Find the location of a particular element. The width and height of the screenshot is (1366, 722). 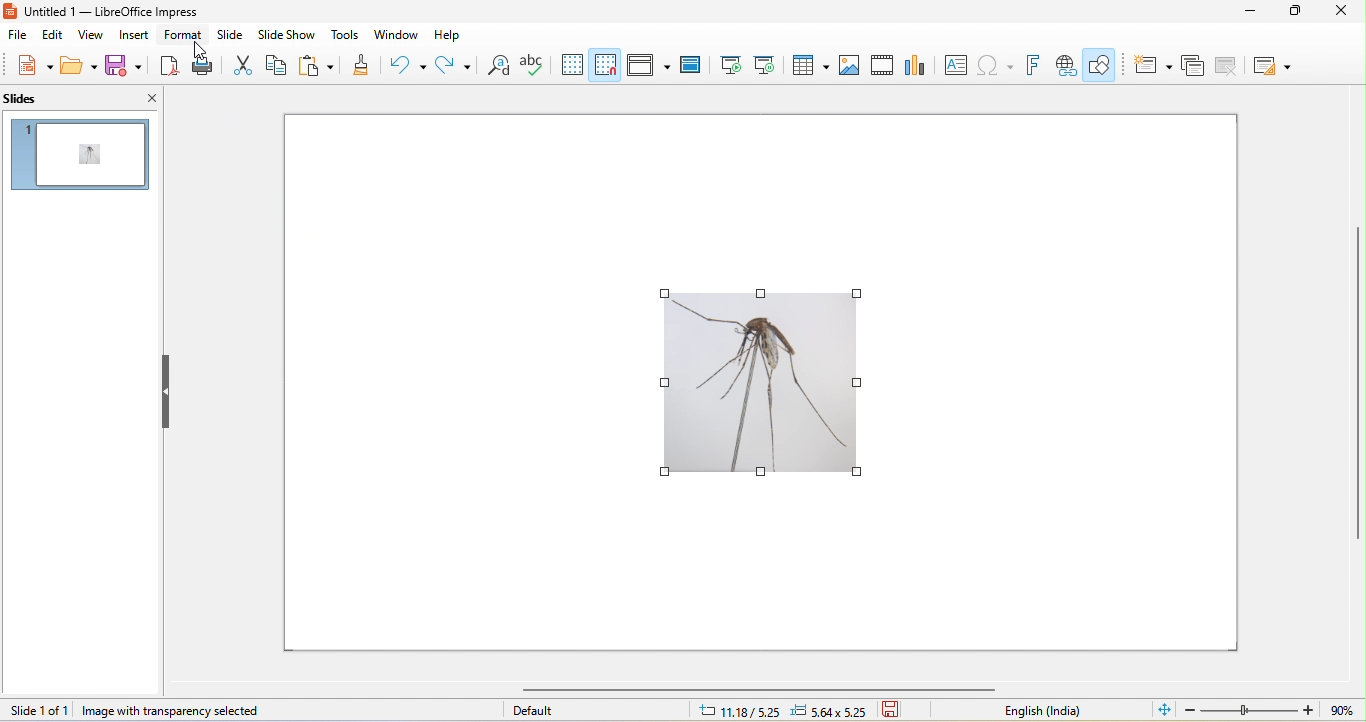

new is located at coordinates (35, 66).